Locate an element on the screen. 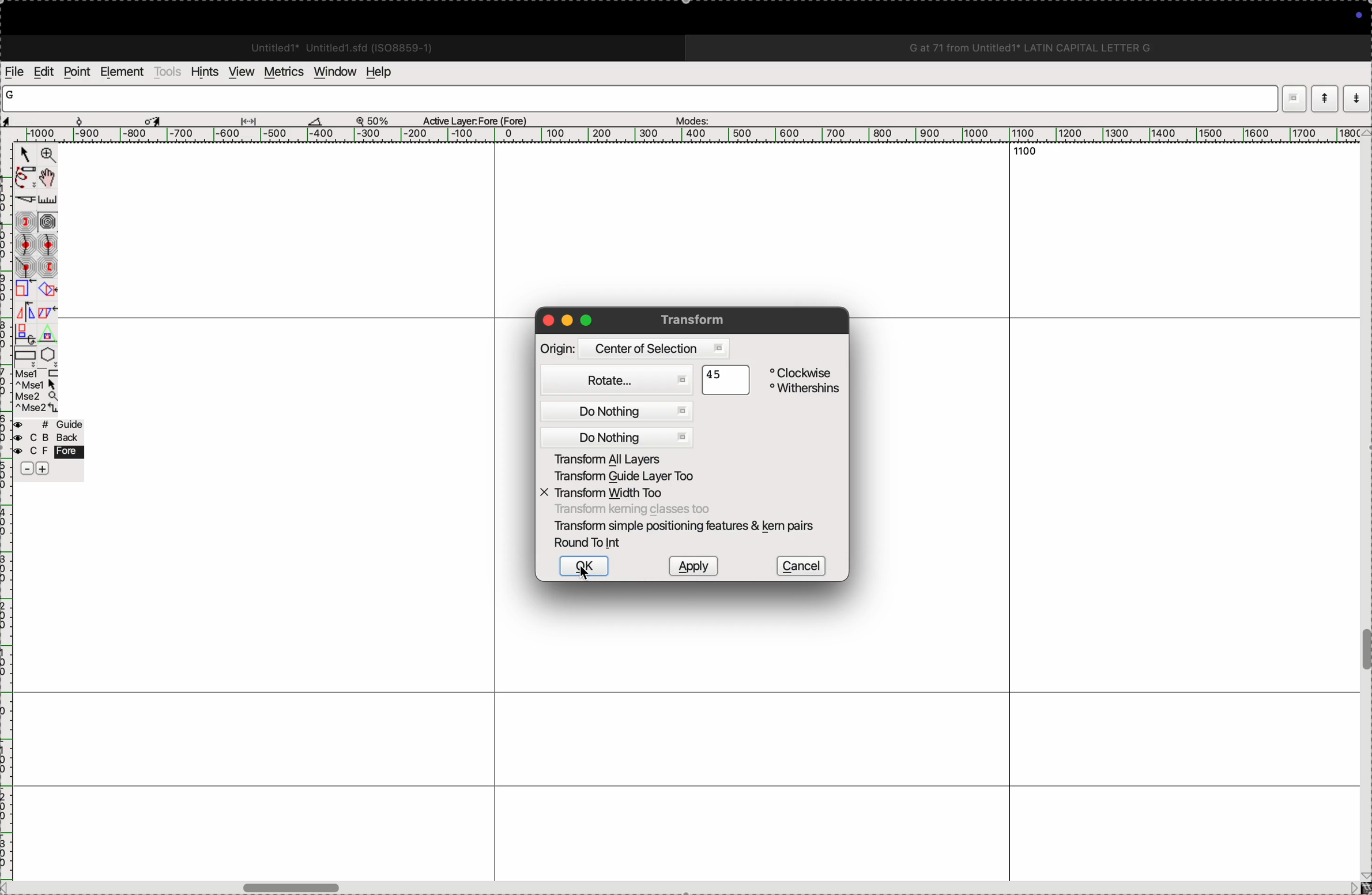 The width and height of the screenshot is (1372, 895). metrics is located at coordinates (285, 71).